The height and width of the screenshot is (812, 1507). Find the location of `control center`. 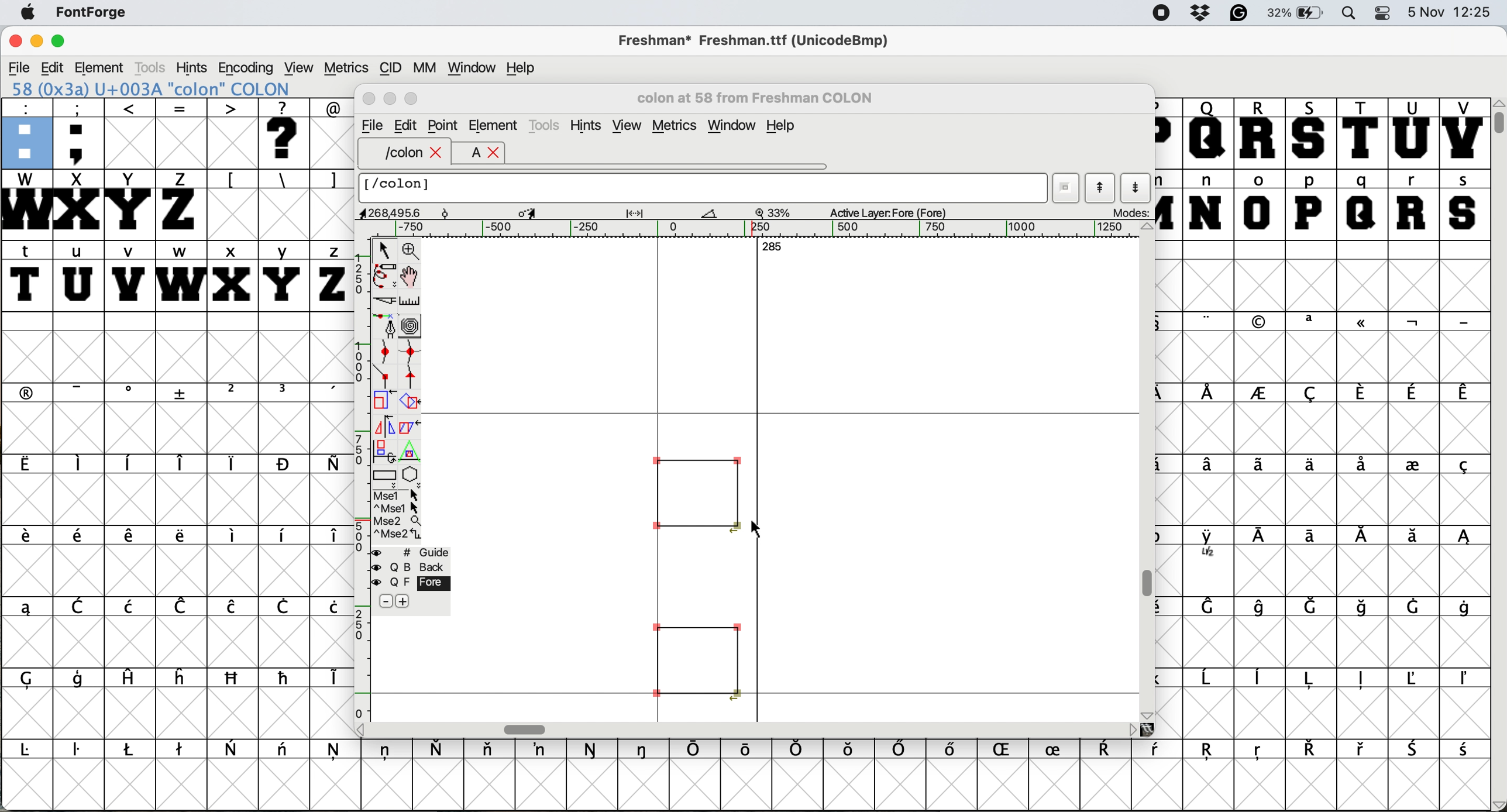

control center is located at coordinates (1384, 14).